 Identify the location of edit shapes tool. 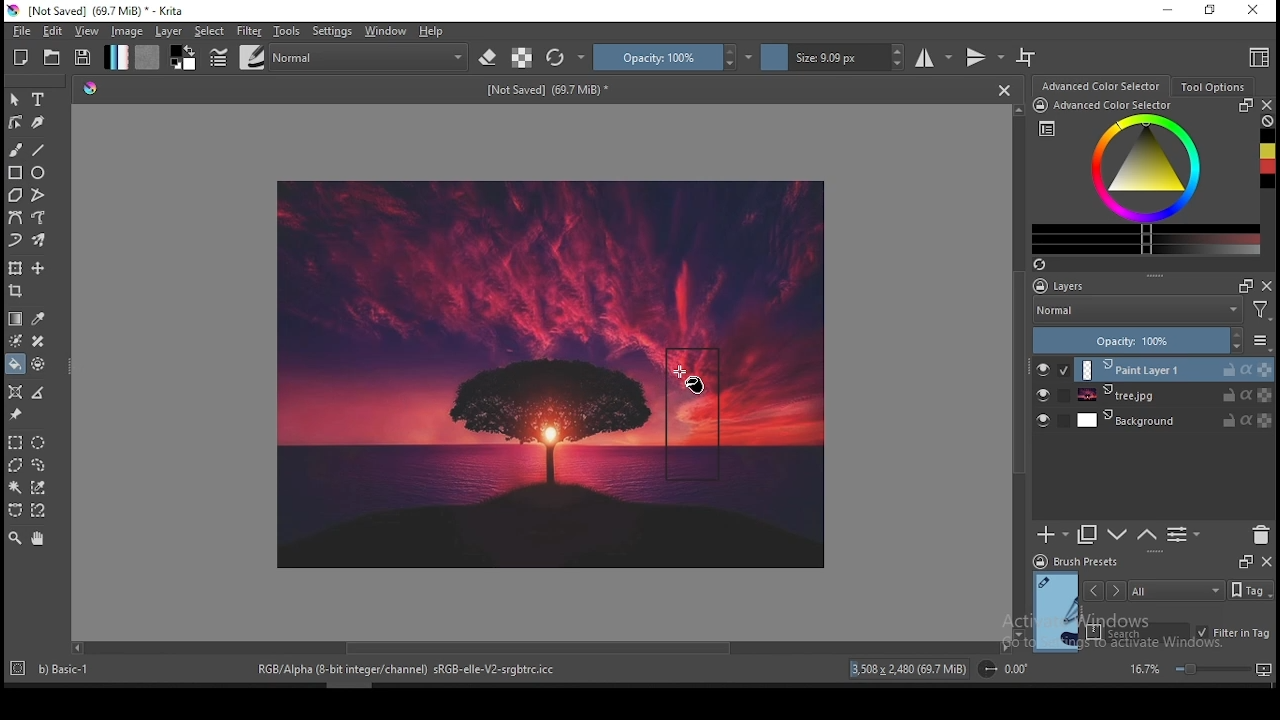
(16, 121).